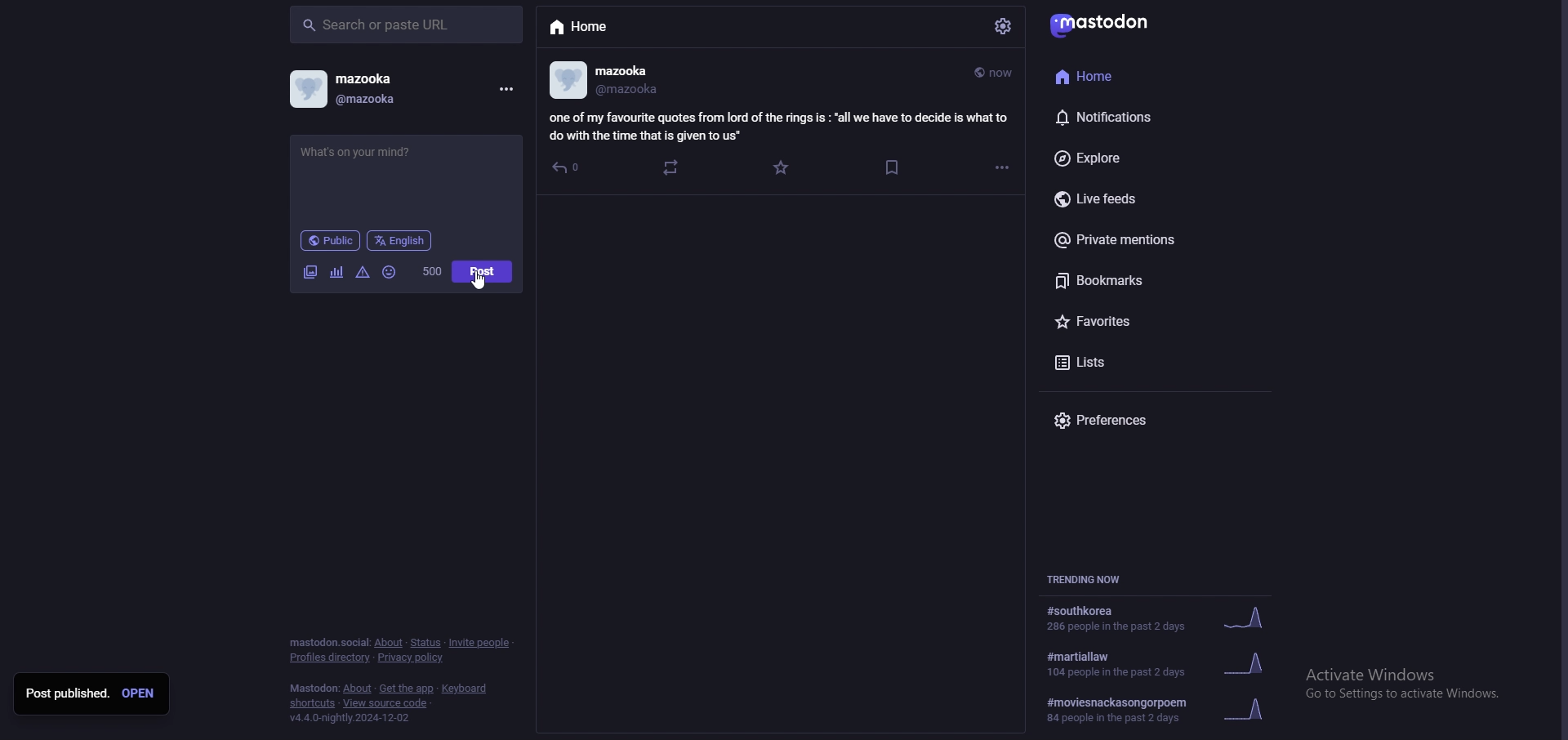 The height and width of the screenshot is (740, 1568). Describe the element at coordinates (1160, 665) in the screenshot. I see `trending` at that location.